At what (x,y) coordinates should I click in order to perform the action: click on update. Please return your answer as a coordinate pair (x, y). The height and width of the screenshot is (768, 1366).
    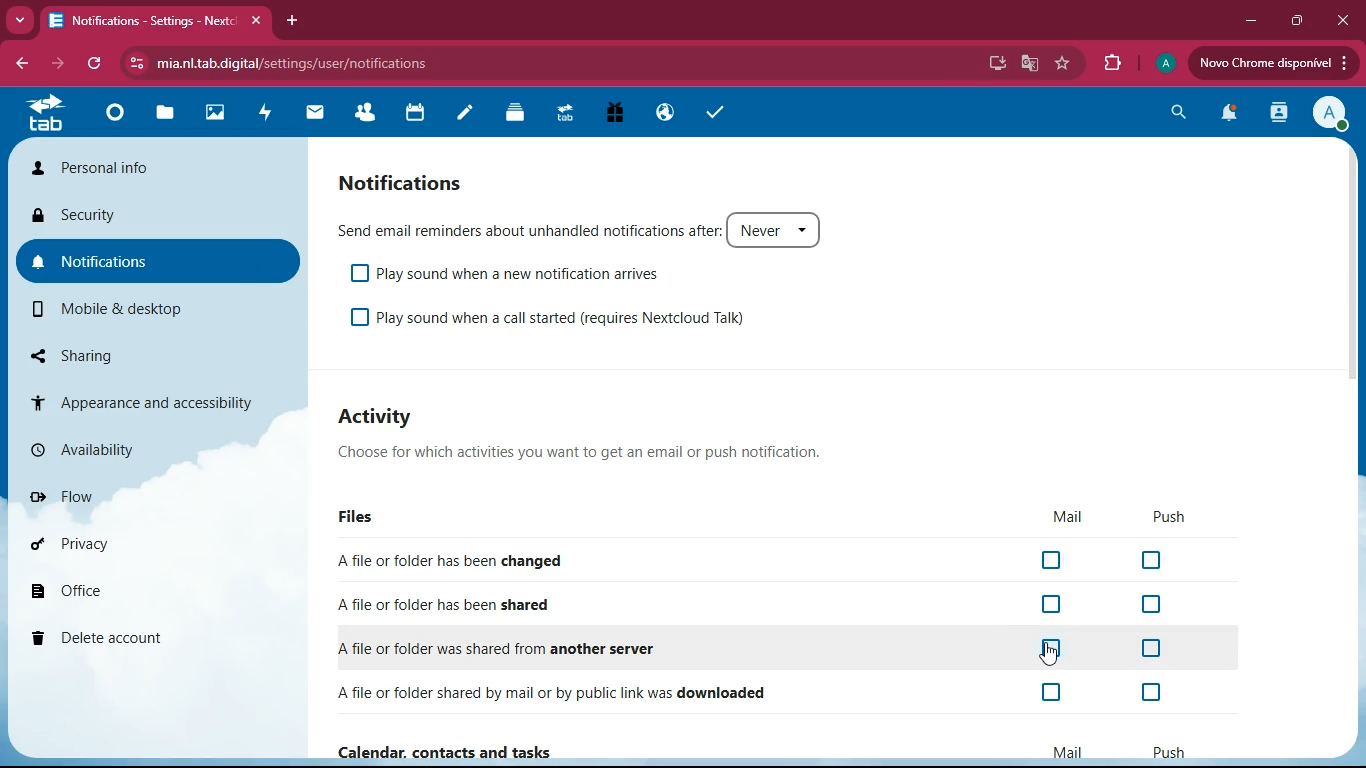
    Looking at the image, I should click on (1270, 63).